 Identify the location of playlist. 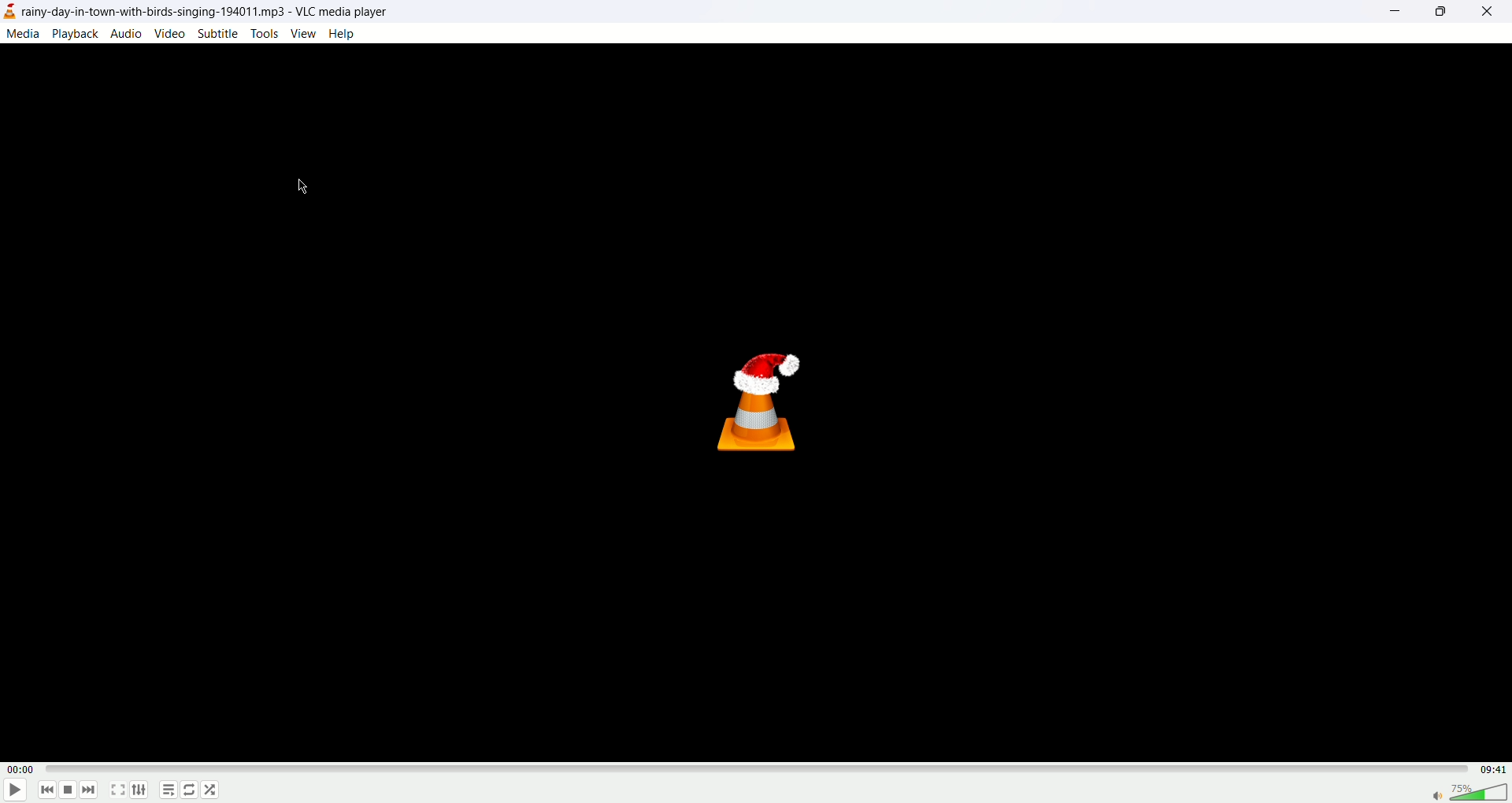
(169, 790).